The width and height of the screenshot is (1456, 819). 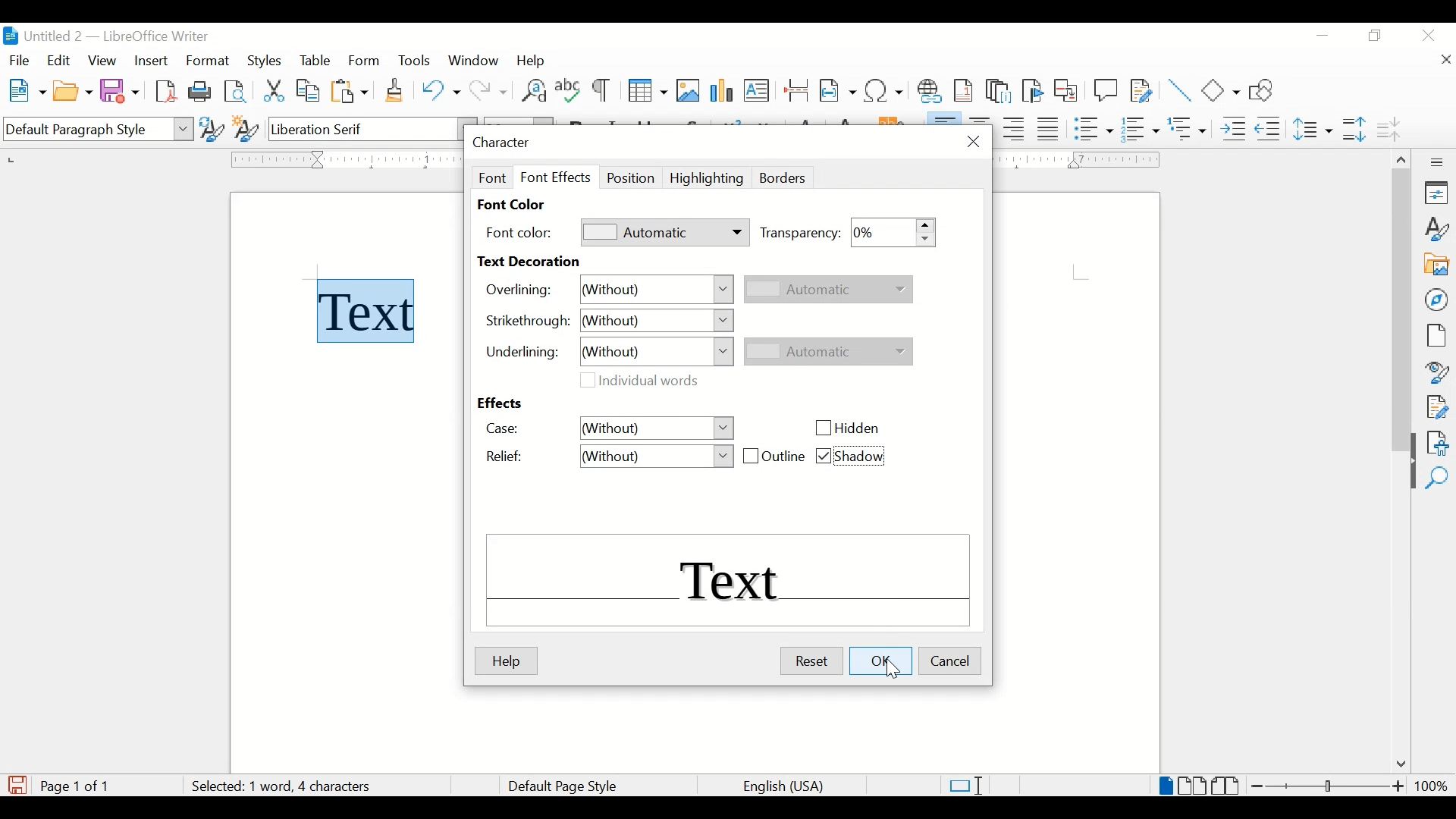 I want to click on transparency:, so click(x=802, y=234).